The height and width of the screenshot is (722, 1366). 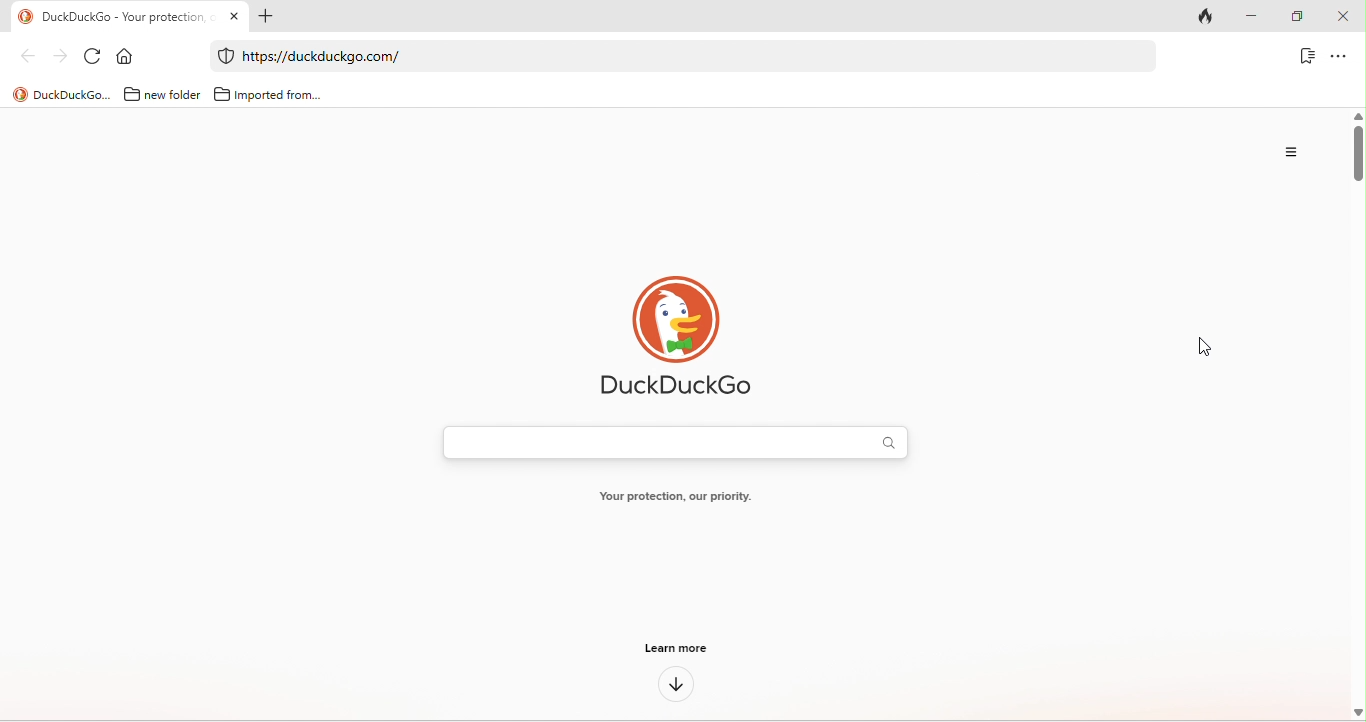 What do you see at coordinates (1288, 155) in the screenshot?
I see `option` at bounding box center [1288, 155].